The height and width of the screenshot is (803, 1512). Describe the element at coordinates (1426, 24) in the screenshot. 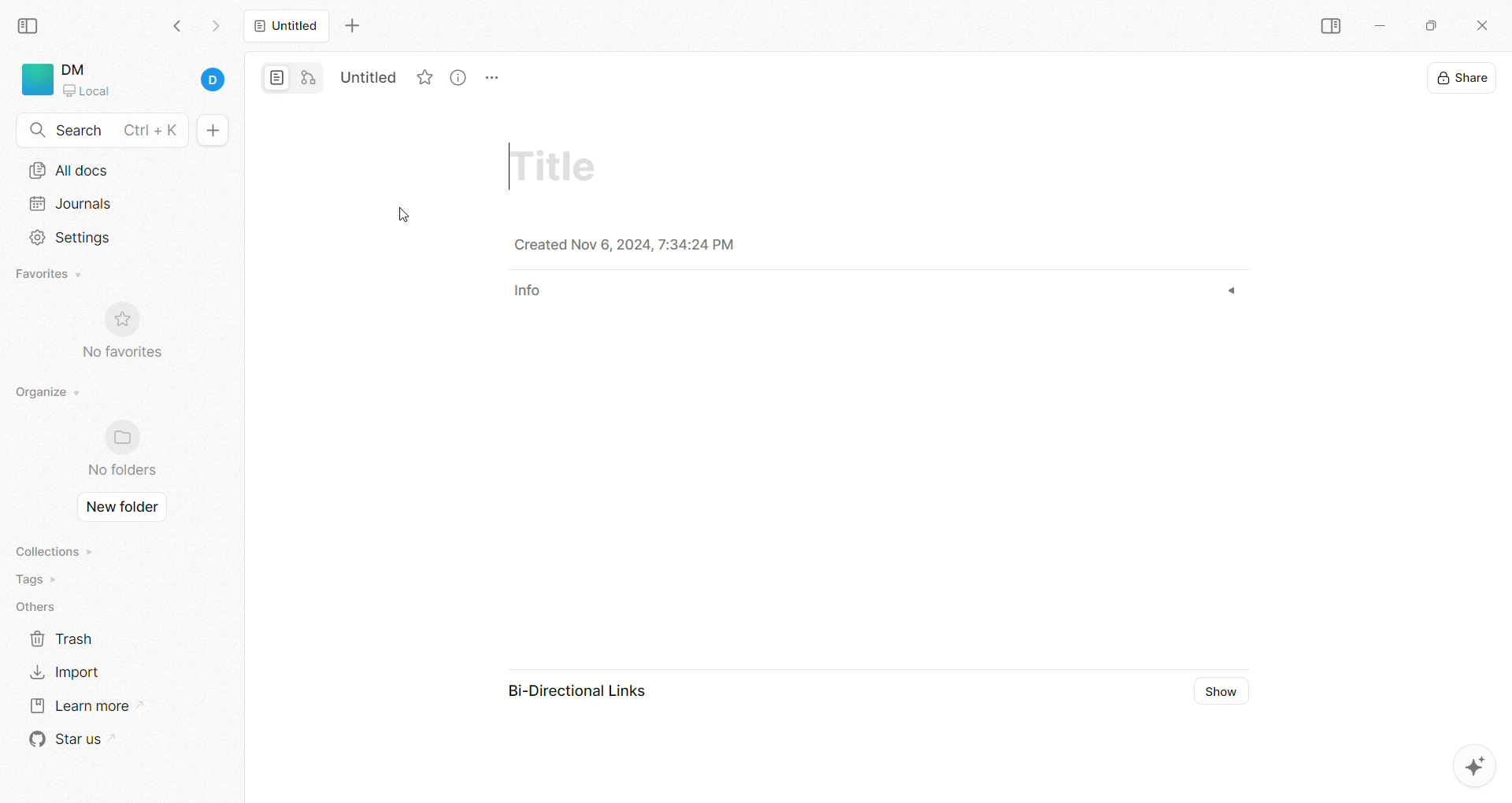

I see `maximize` at that location.